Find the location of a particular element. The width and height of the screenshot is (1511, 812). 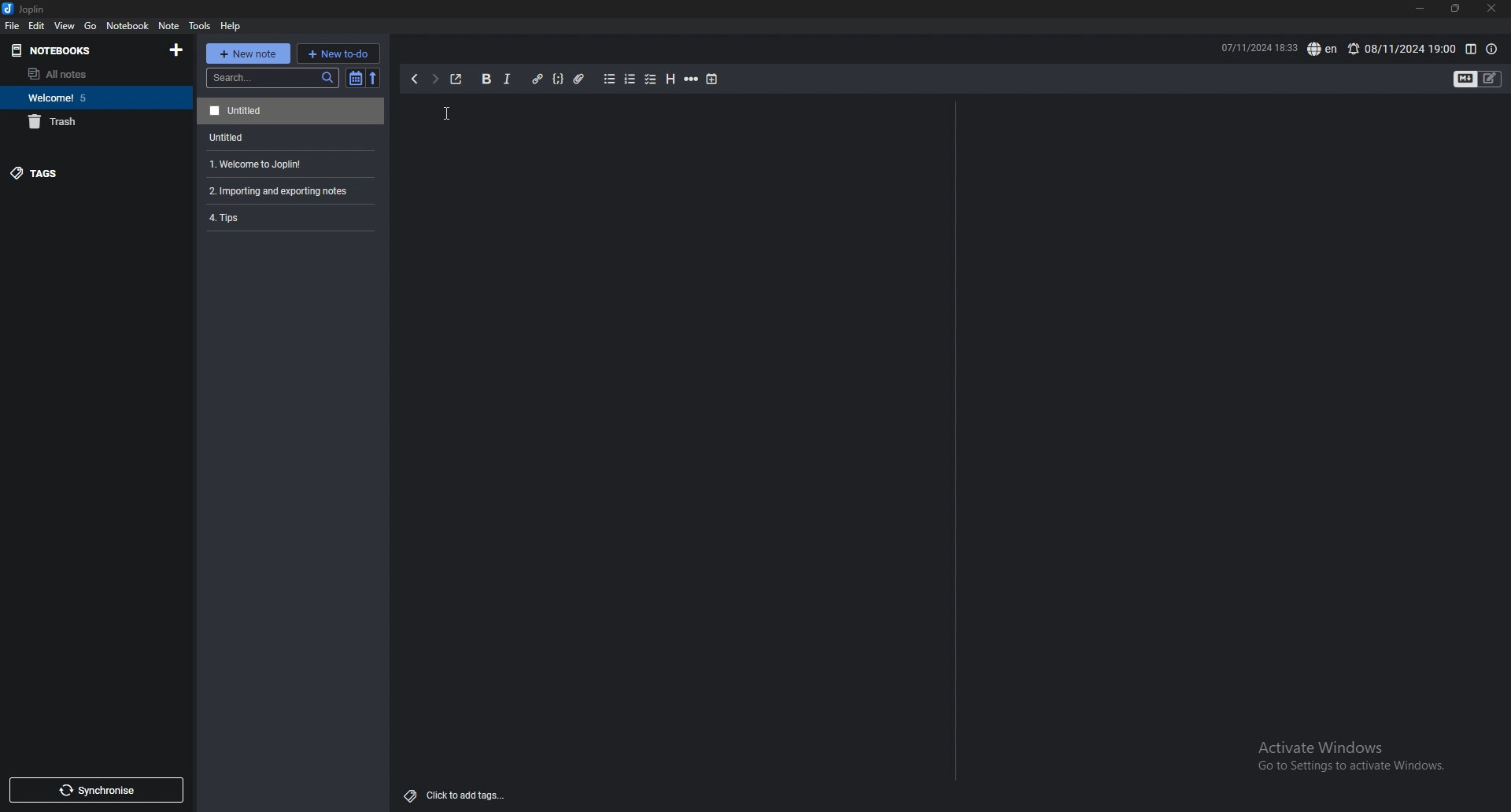

minimize is located at coordinates (1420, 9).